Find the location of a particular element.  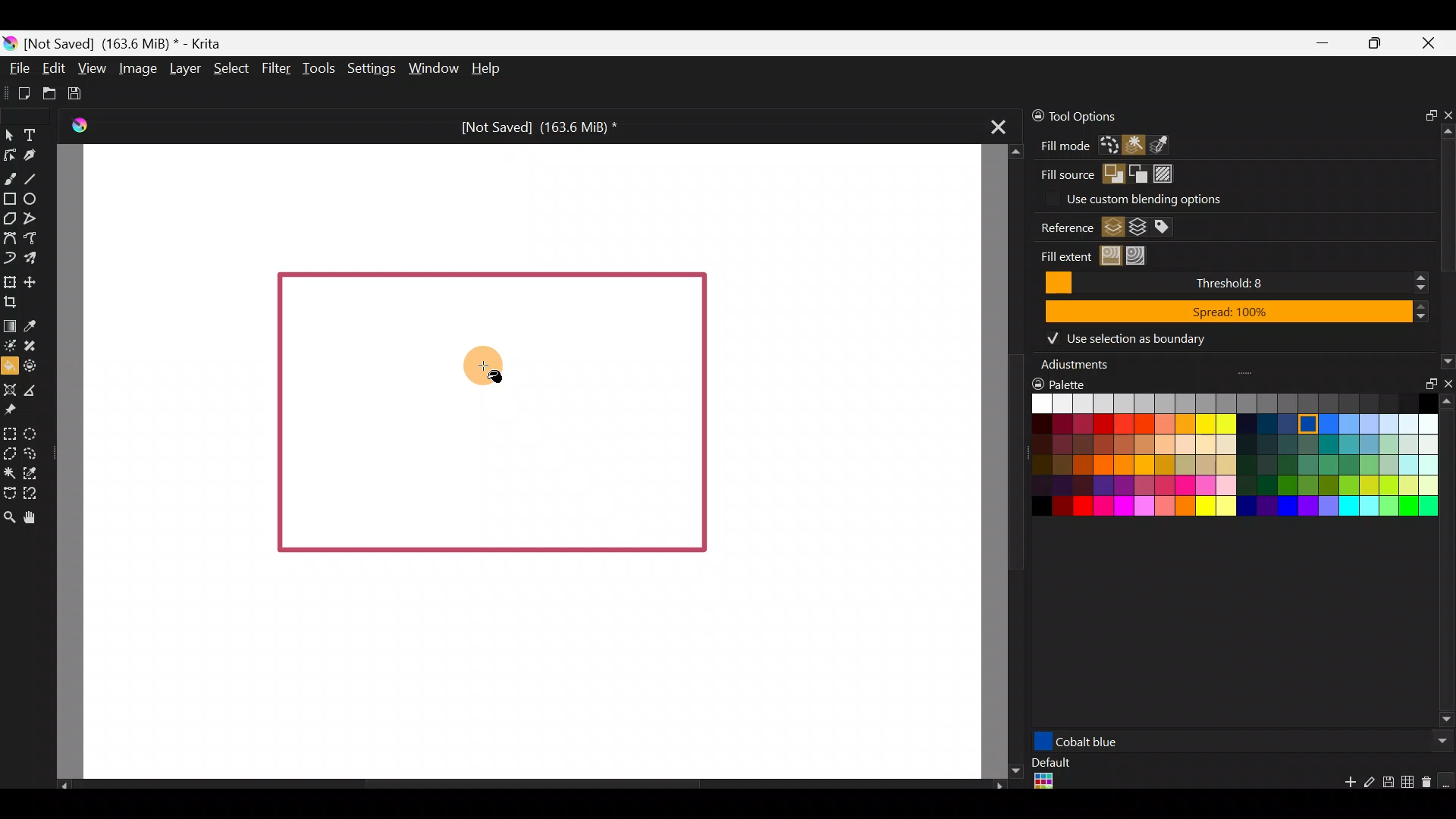

Sample a colour from the image/current layer is located at coordinates (33, 323).